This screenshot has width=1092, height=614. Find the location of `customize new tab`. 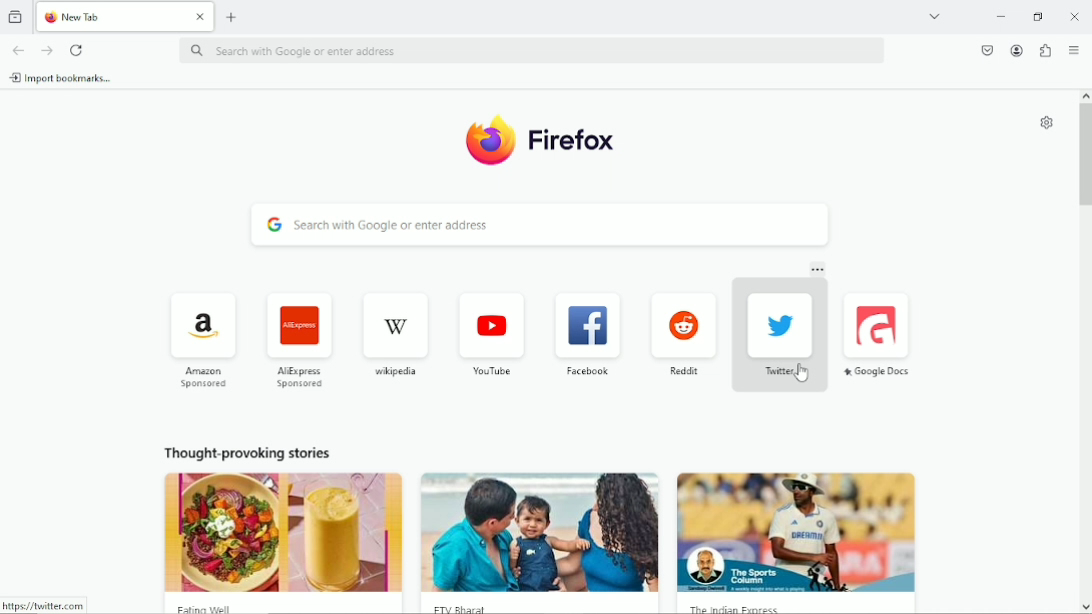

customize new tab is located at coordinates (1045, 123).